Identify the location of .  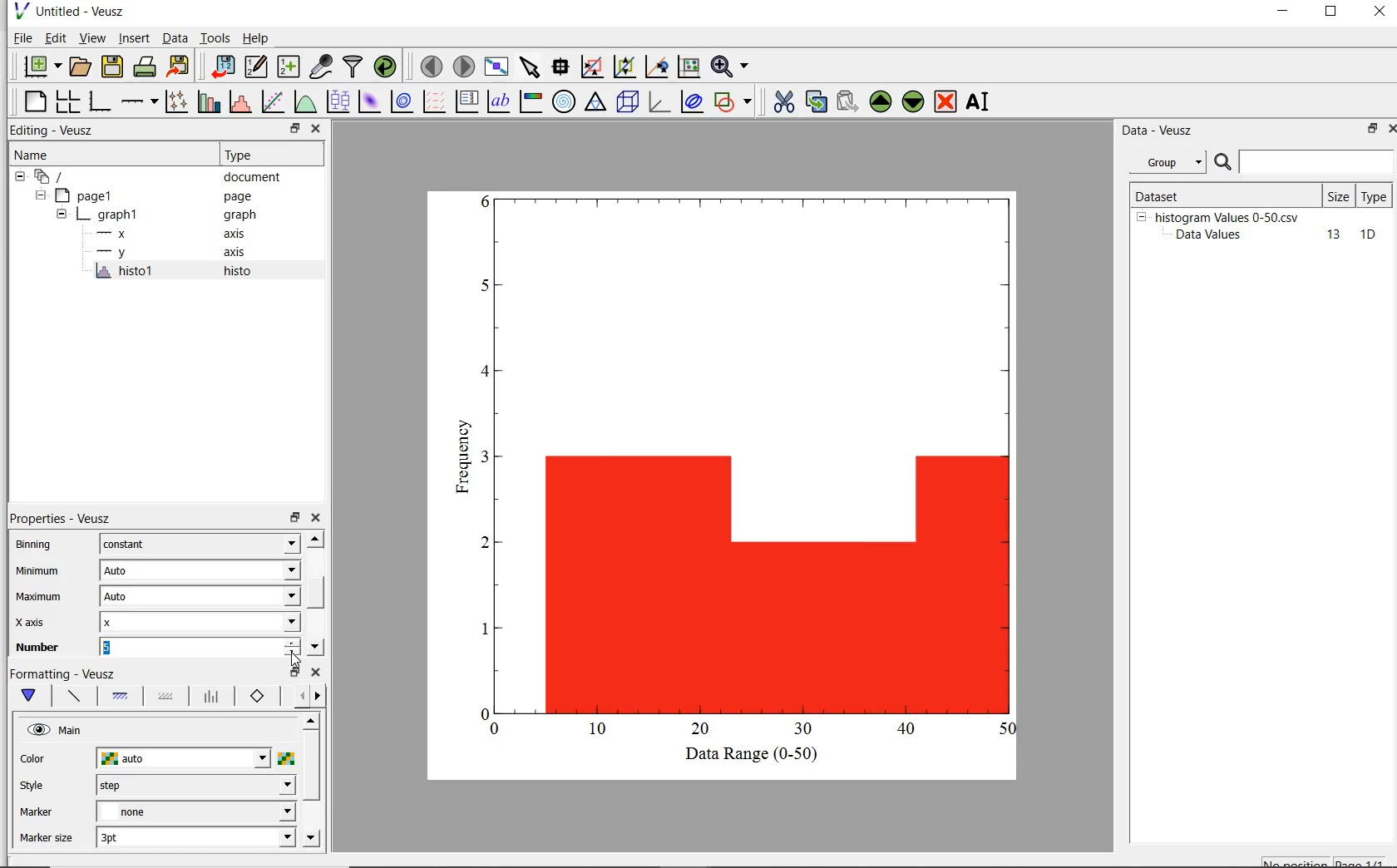
(241, 215).